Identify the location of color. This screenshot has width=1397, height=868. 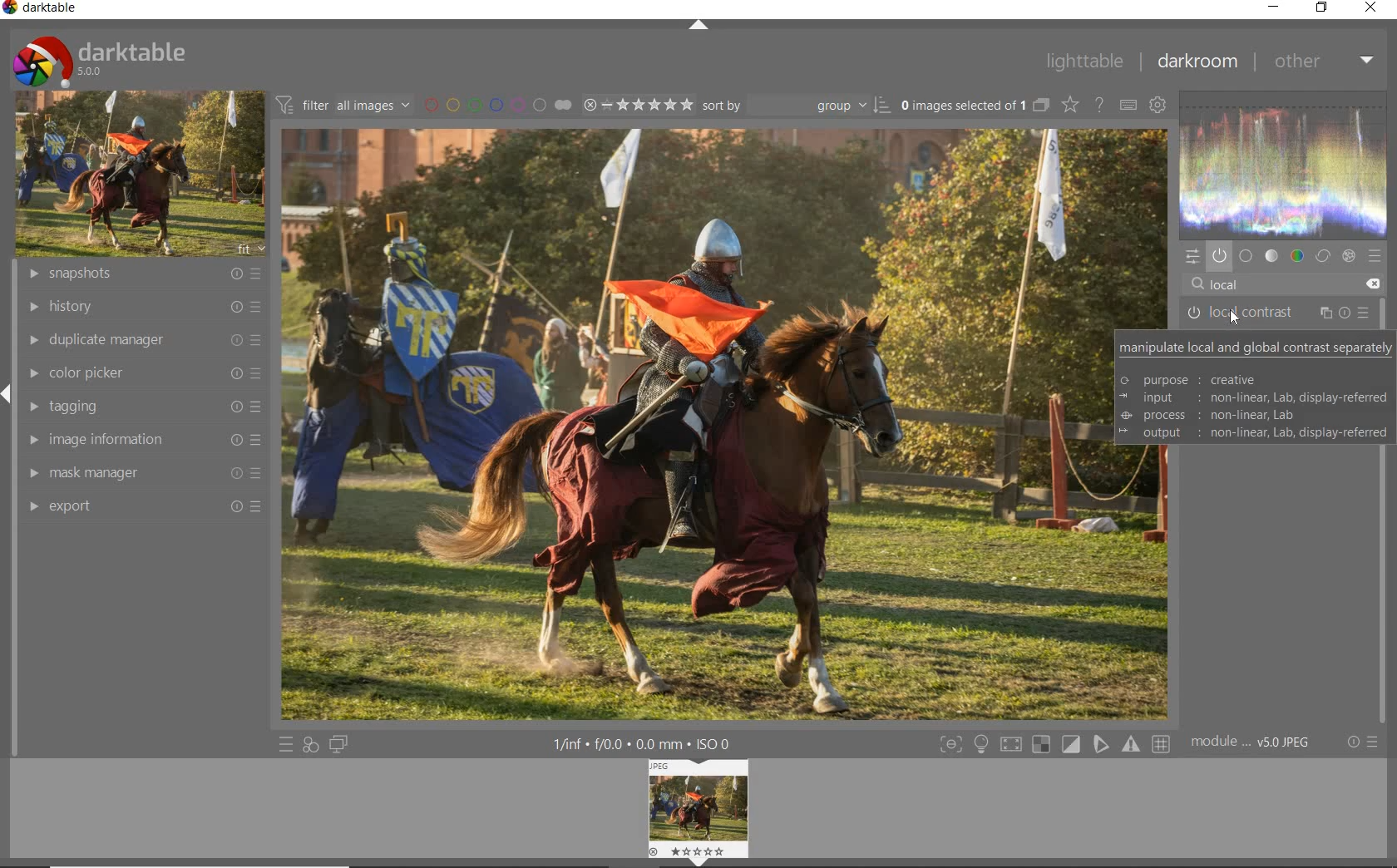
(1298, 254).